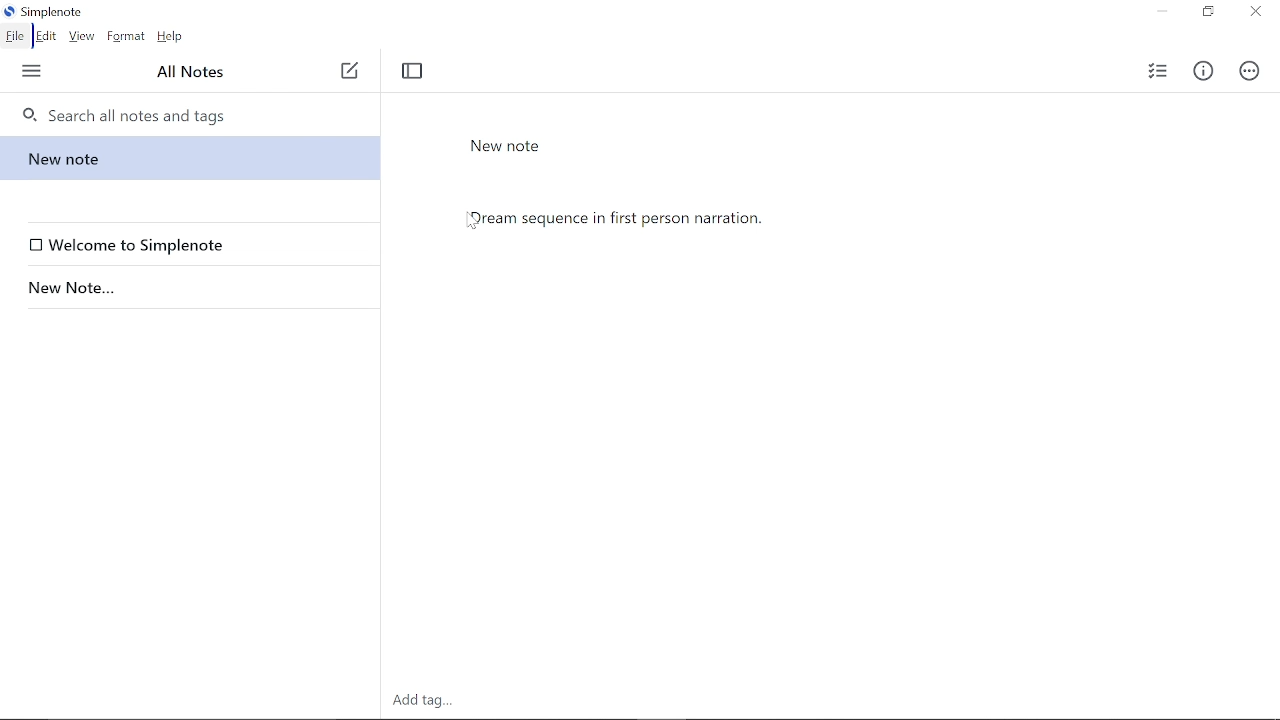 The width and height of the screenshot is (1280, 720). Describe the element at coordinates (1202, 73) in the screenshot. I see `Info` at that location.